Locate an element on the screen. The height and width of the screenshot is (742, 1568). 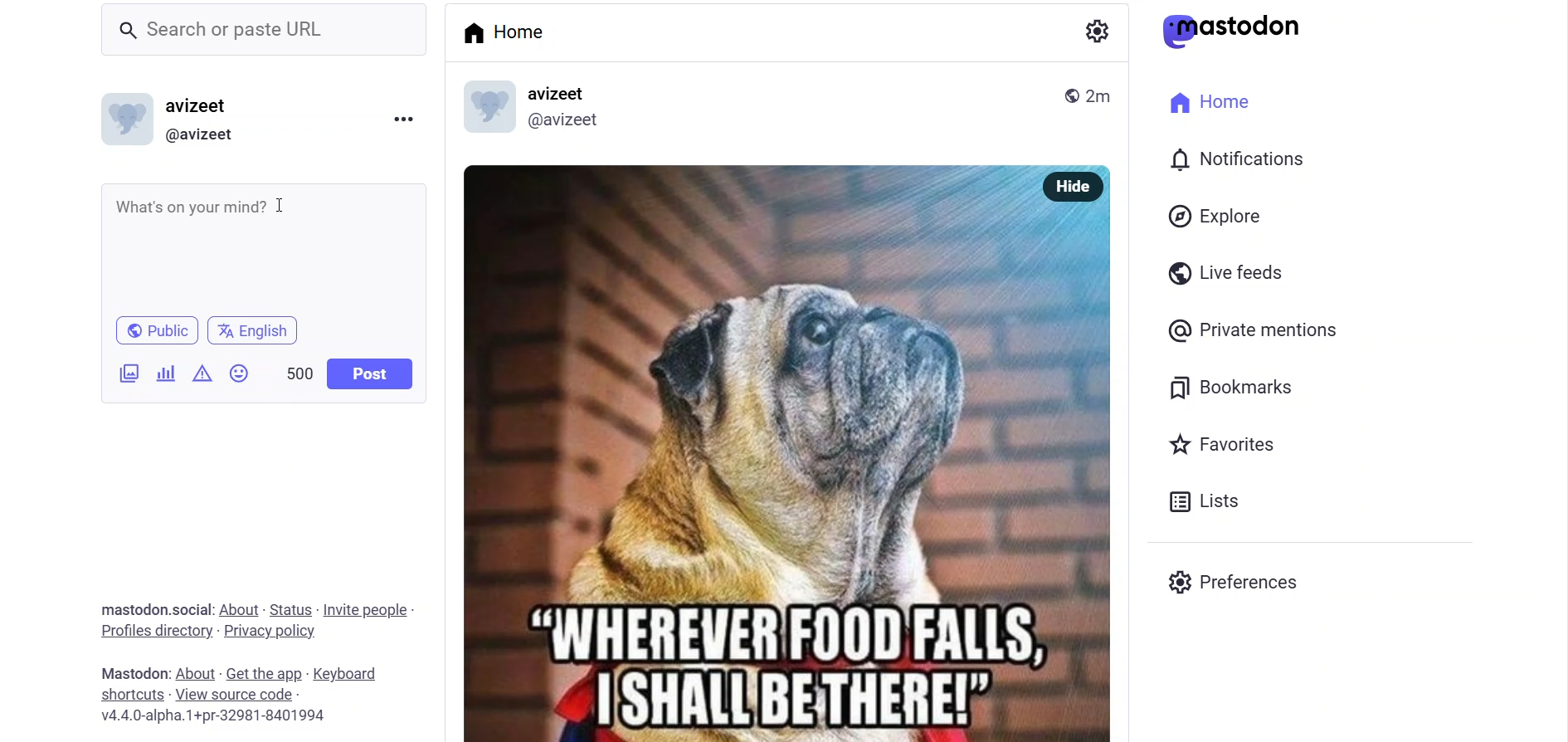
public is located at coordinates (153, 330).